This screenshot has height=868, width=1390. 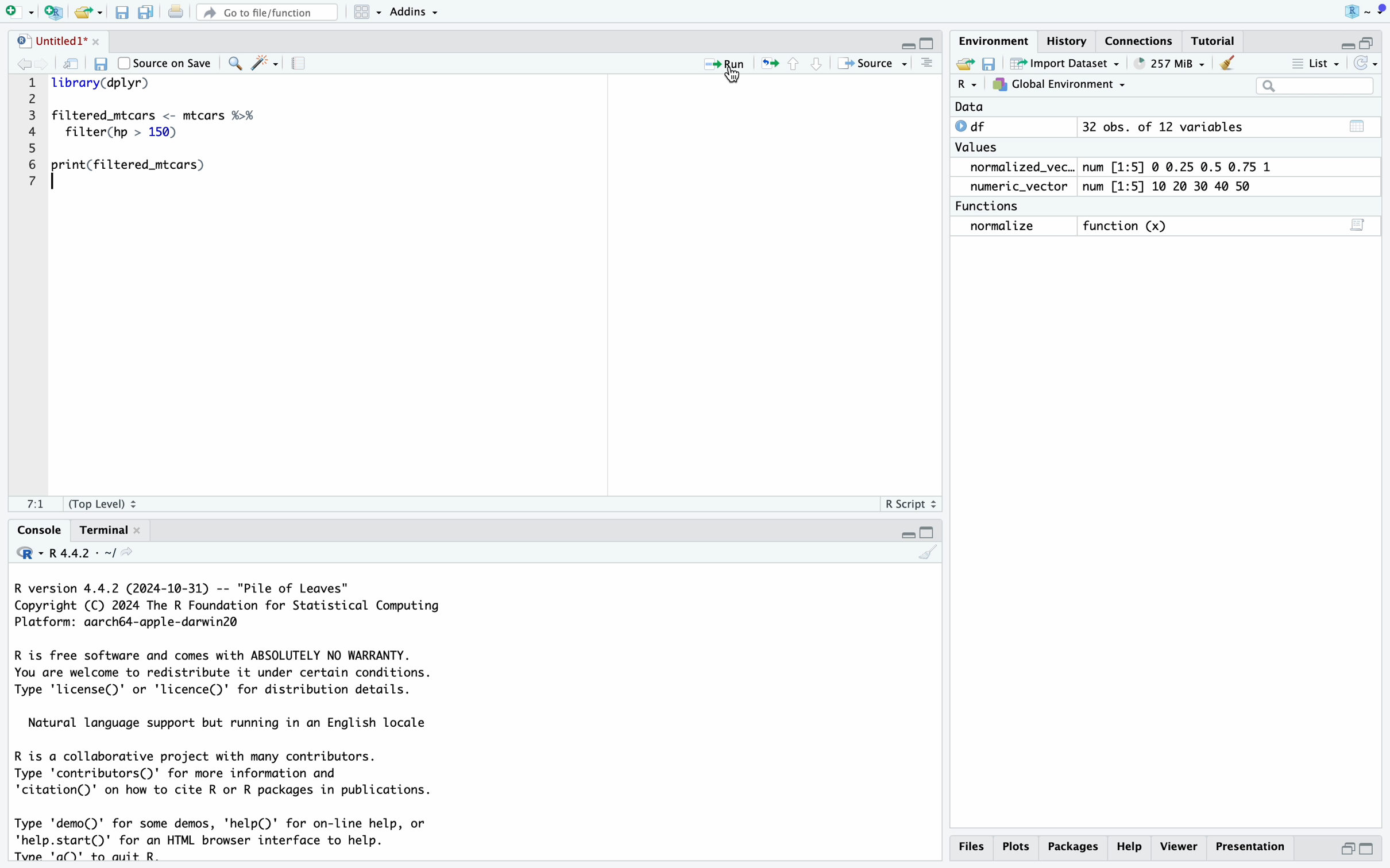 I want to click on save, so click(x=122, y=14).